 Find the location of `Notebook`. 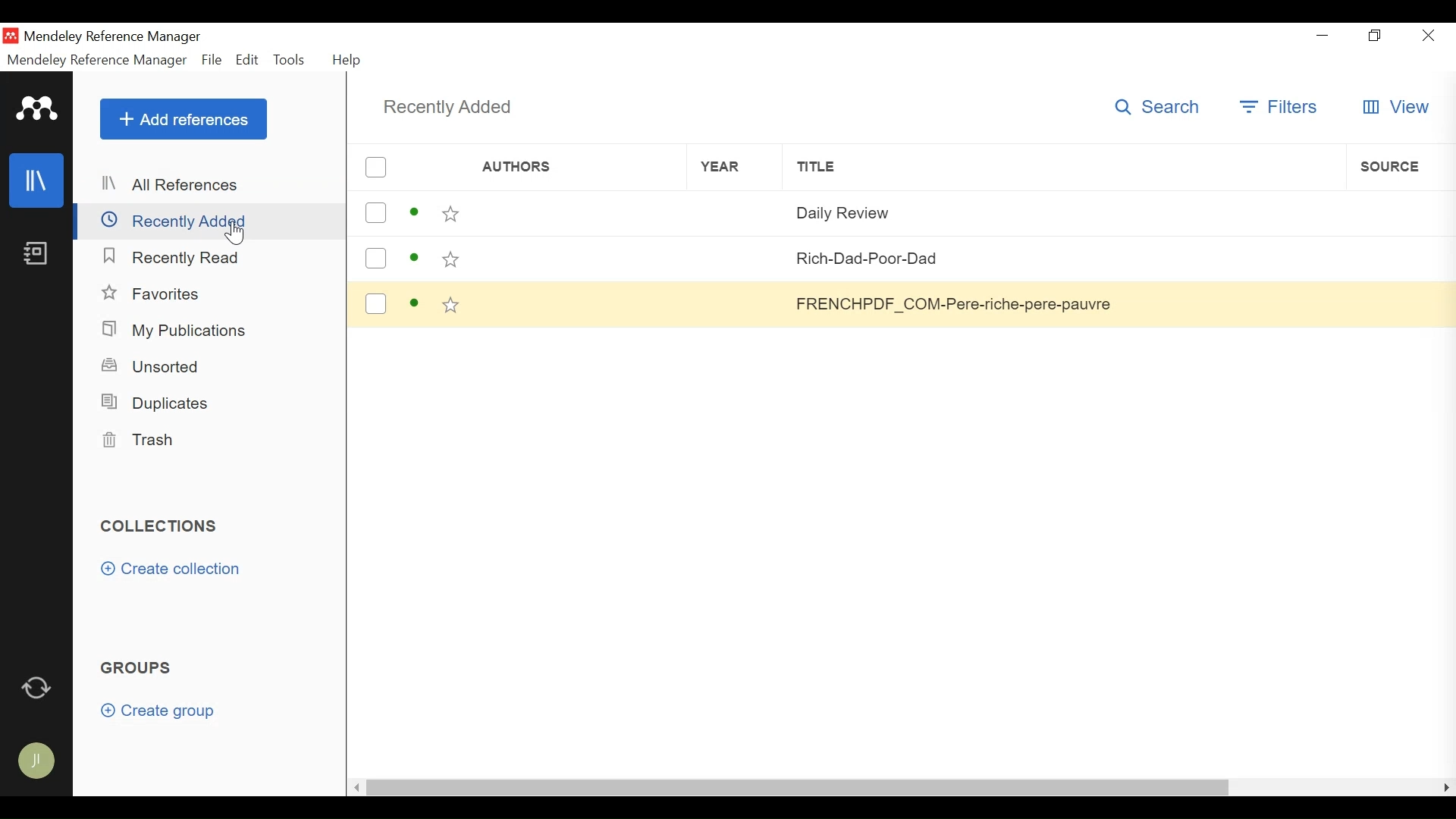

Notebook is located at coordinates (36, 255).